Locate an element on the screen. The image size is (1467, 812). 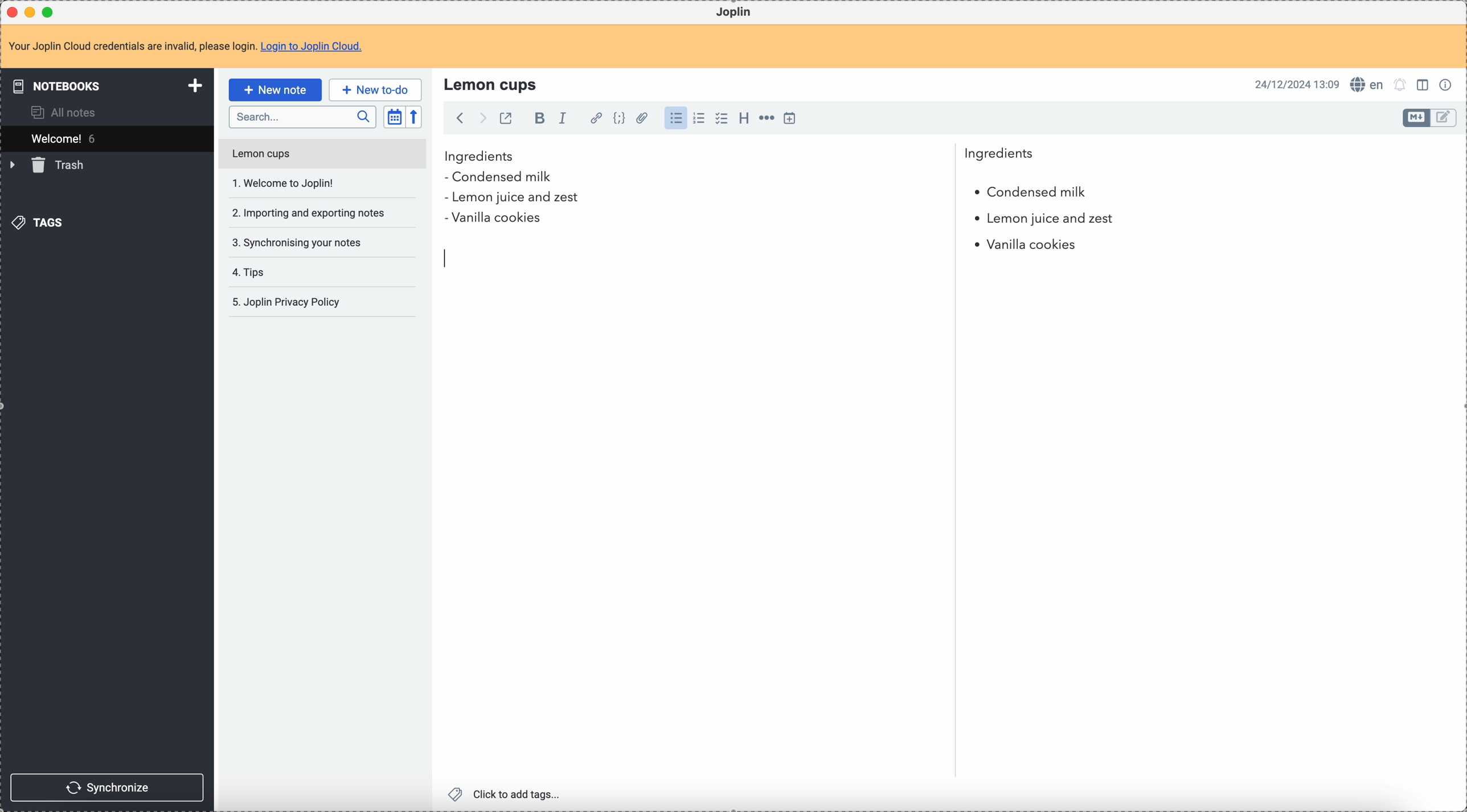
synchronize is located at coordinates (108, 788).